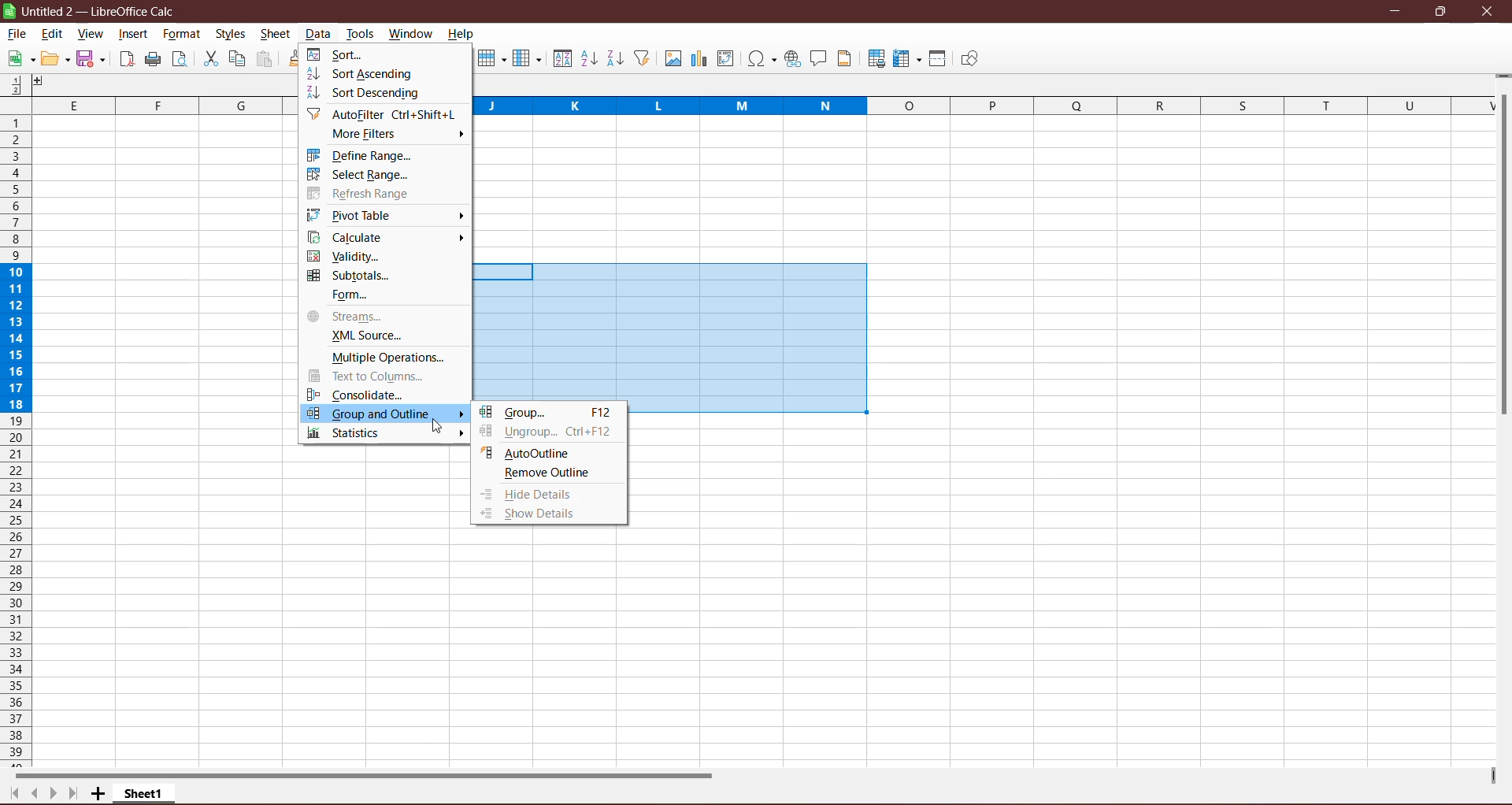  What do you see at coordinates (50, 792) in the screenshot?
I see `Scroll to next page` at bounding box center [50, 792].